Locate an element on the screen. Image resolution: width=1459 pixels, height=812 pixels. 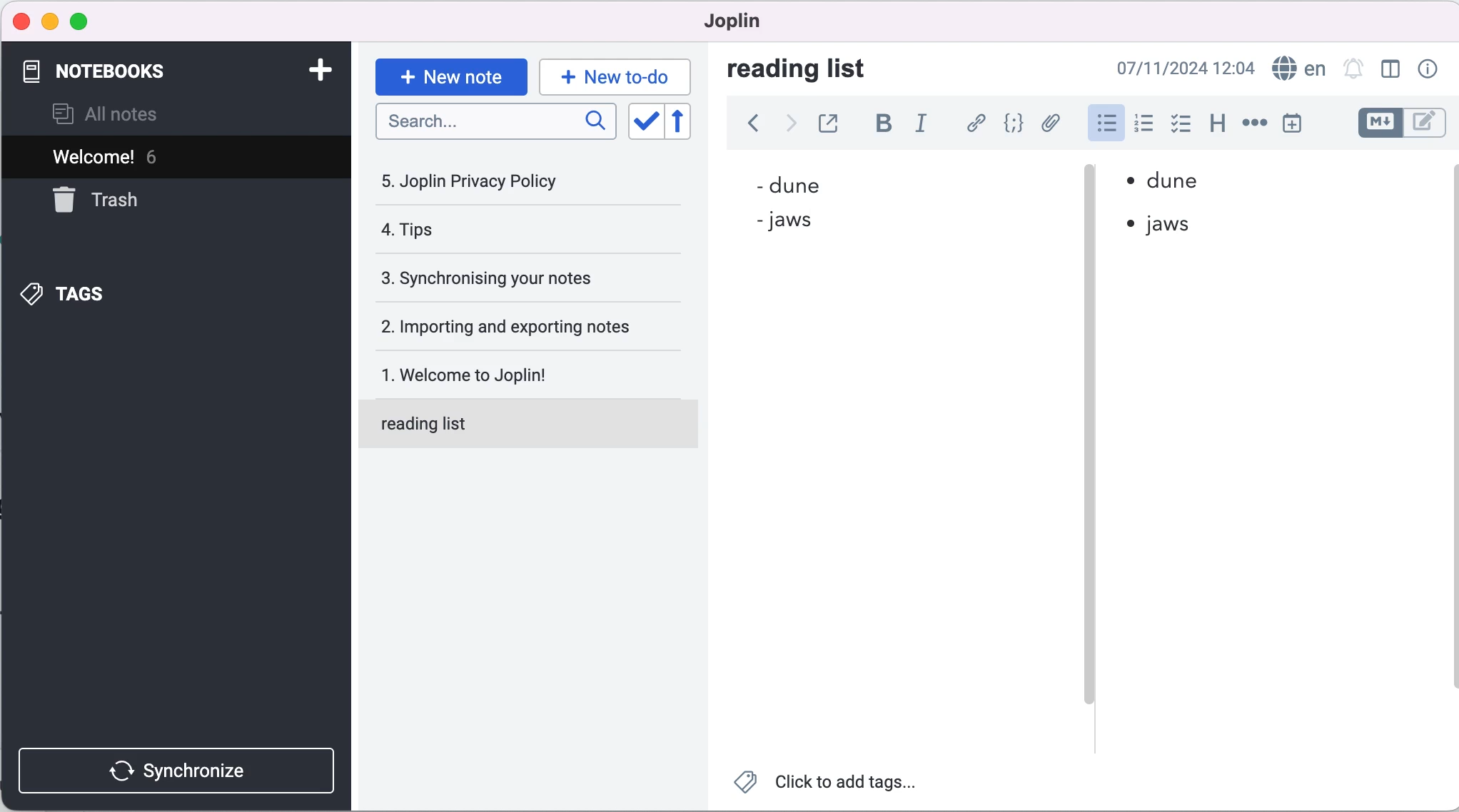
joplin privacy policy is located at coordinates (499, 186).